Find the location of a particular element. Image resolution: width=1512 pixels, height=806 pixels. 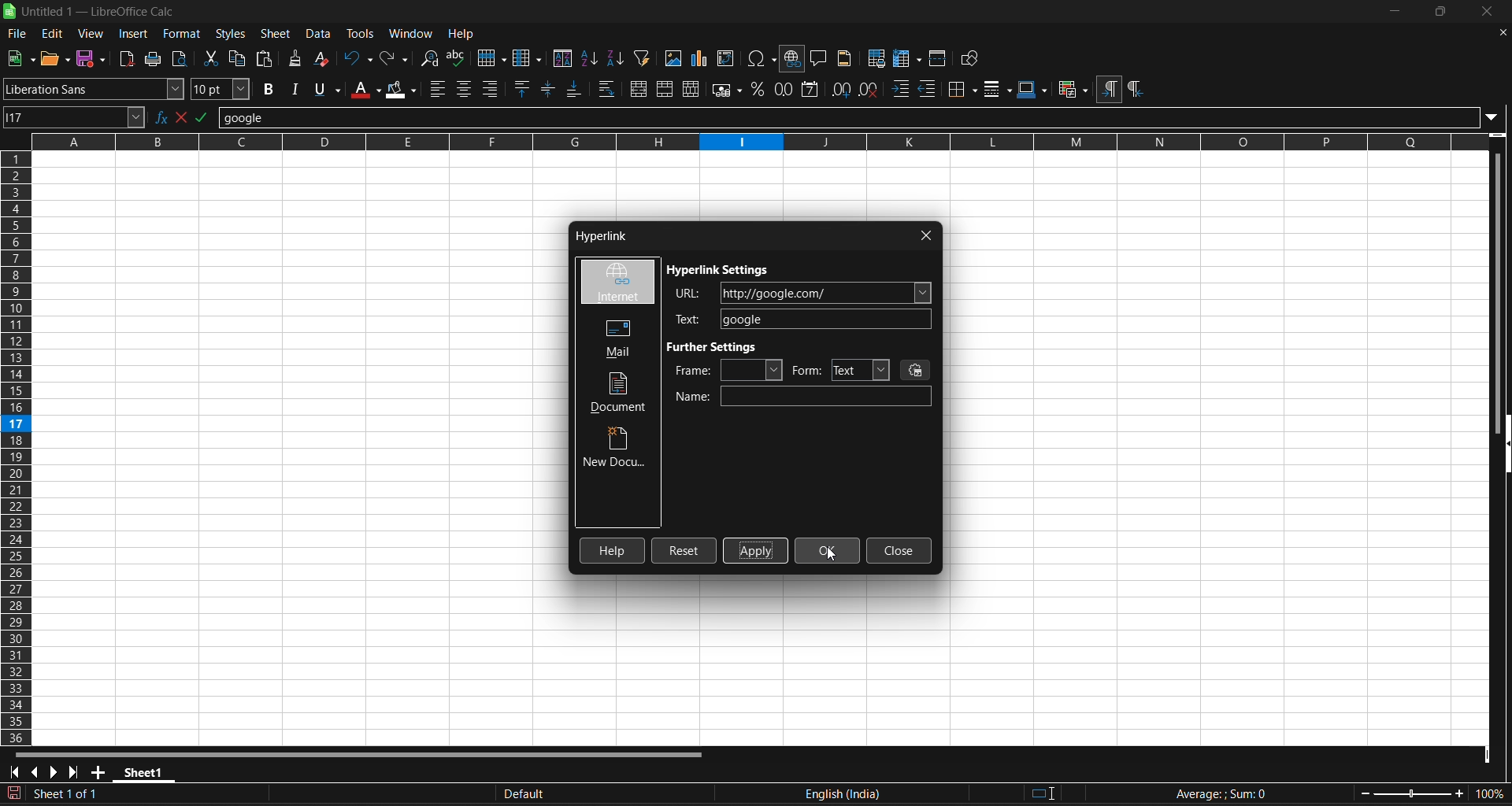

increase indent is located at coordinates (901, 91).